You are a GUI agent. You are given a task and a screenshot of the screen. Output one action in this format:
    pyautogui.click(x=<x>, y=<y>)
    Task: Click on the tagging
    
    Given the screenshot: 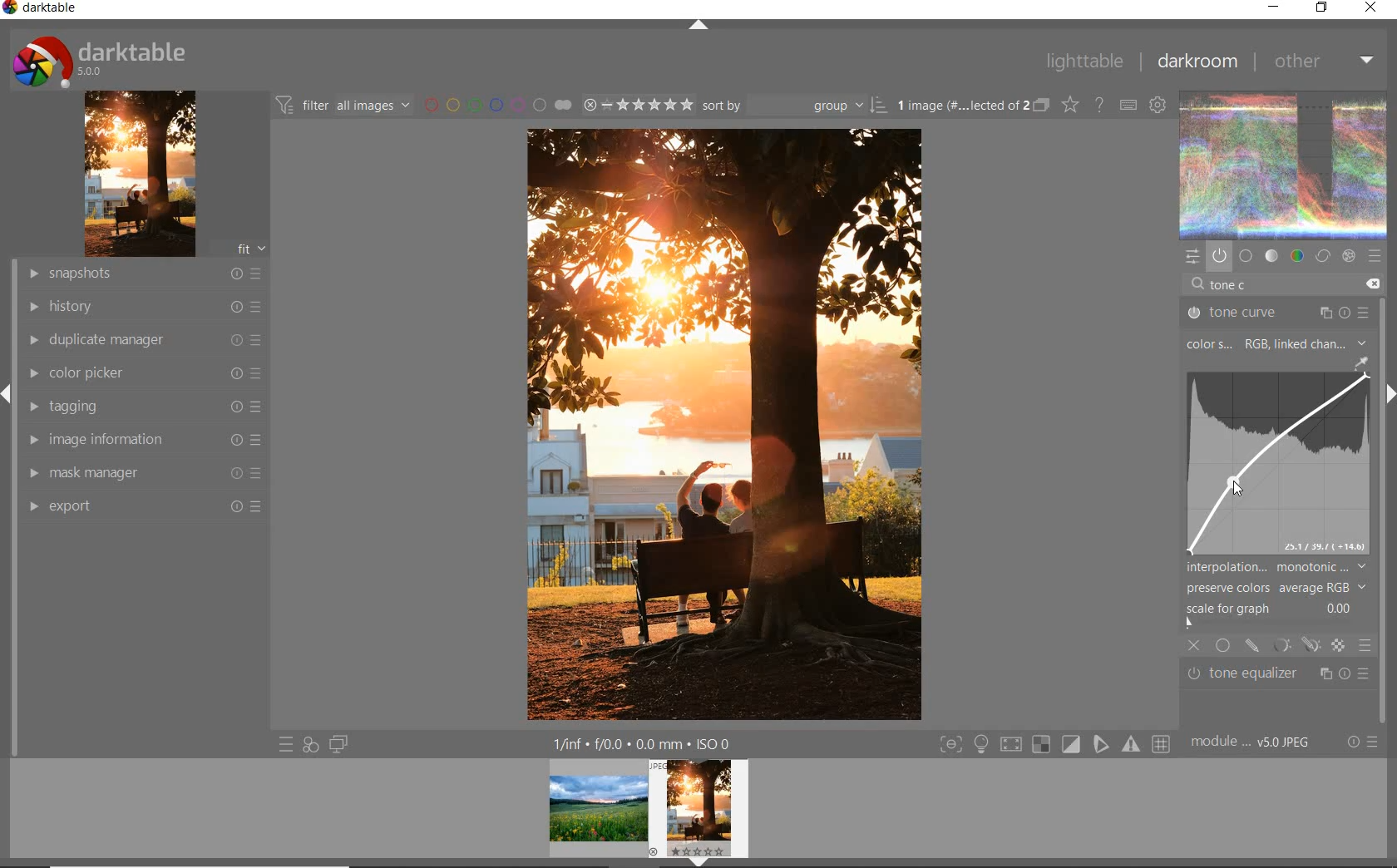 What is the action you would take?
    pyautogui.click(x=141, y=405)
    